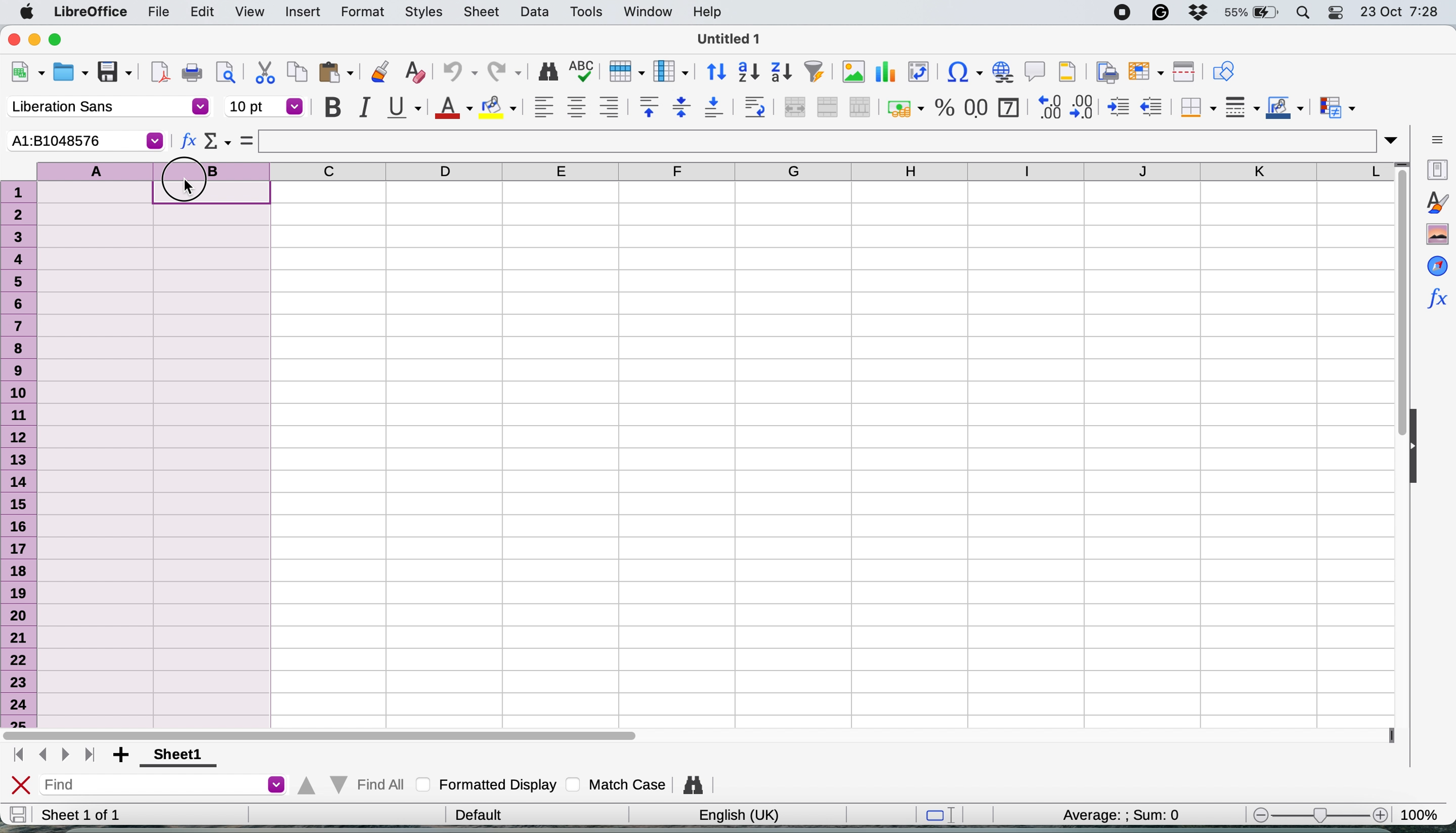 Image resolution: width=1456 pixels, height=833 pixels. What do you see at coordinates (367, 108) in the screenshot?
I see `italic` at bounding box center [367, 108].